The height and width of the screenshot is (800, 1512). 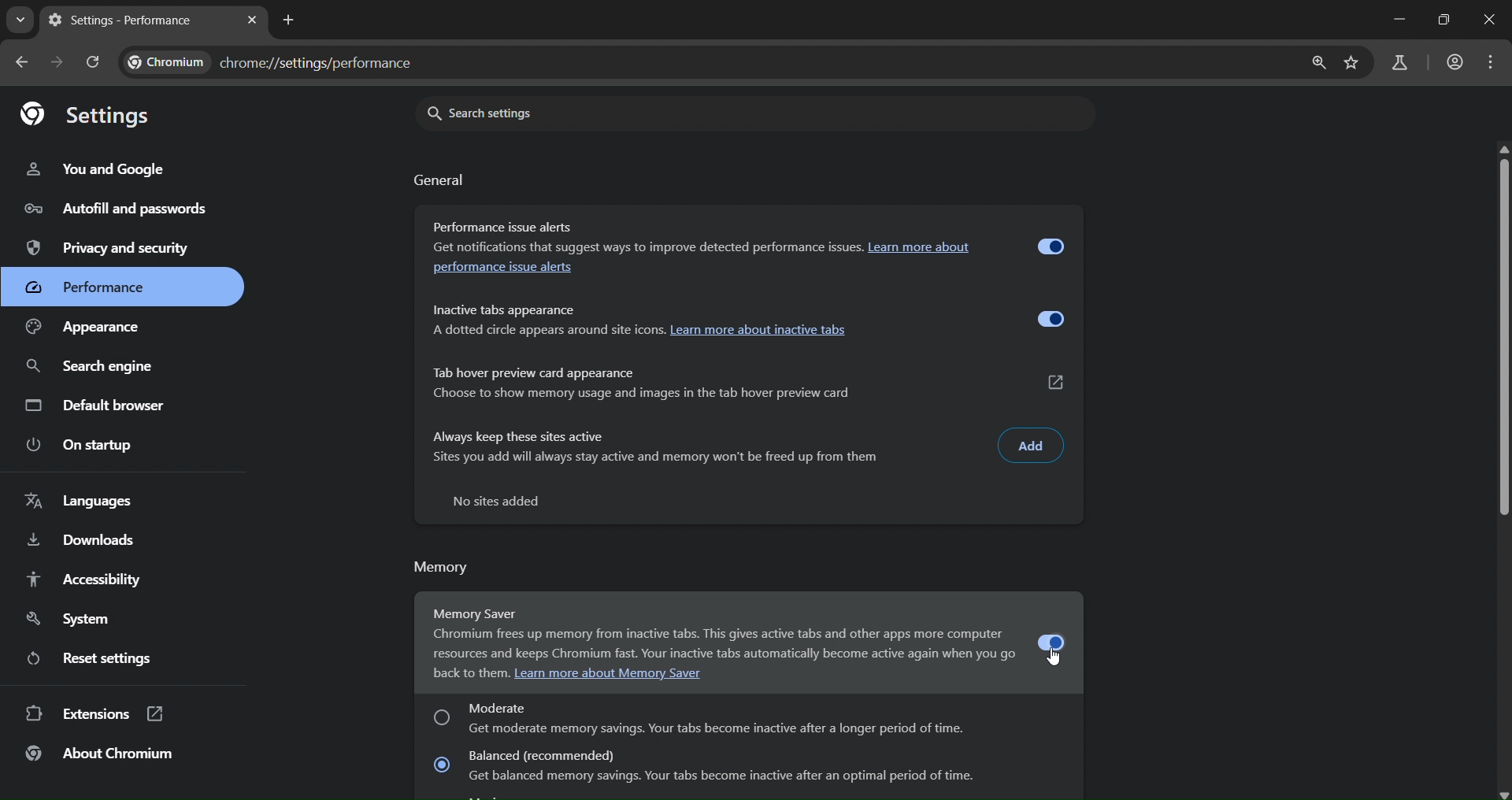 I want to click on close, so click(x=1490, y=20).